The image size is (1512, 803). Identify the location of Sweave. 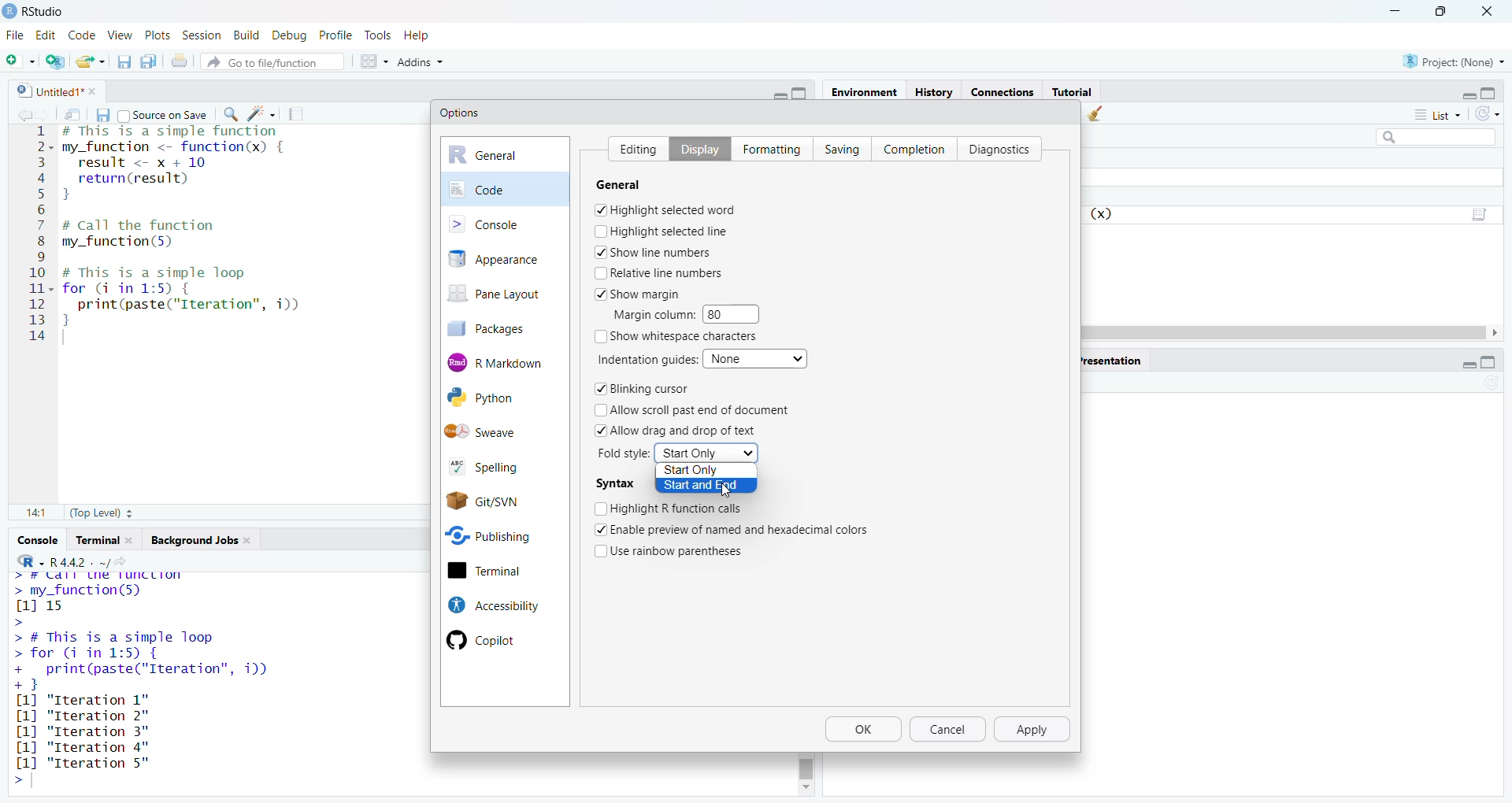
(506, 431).